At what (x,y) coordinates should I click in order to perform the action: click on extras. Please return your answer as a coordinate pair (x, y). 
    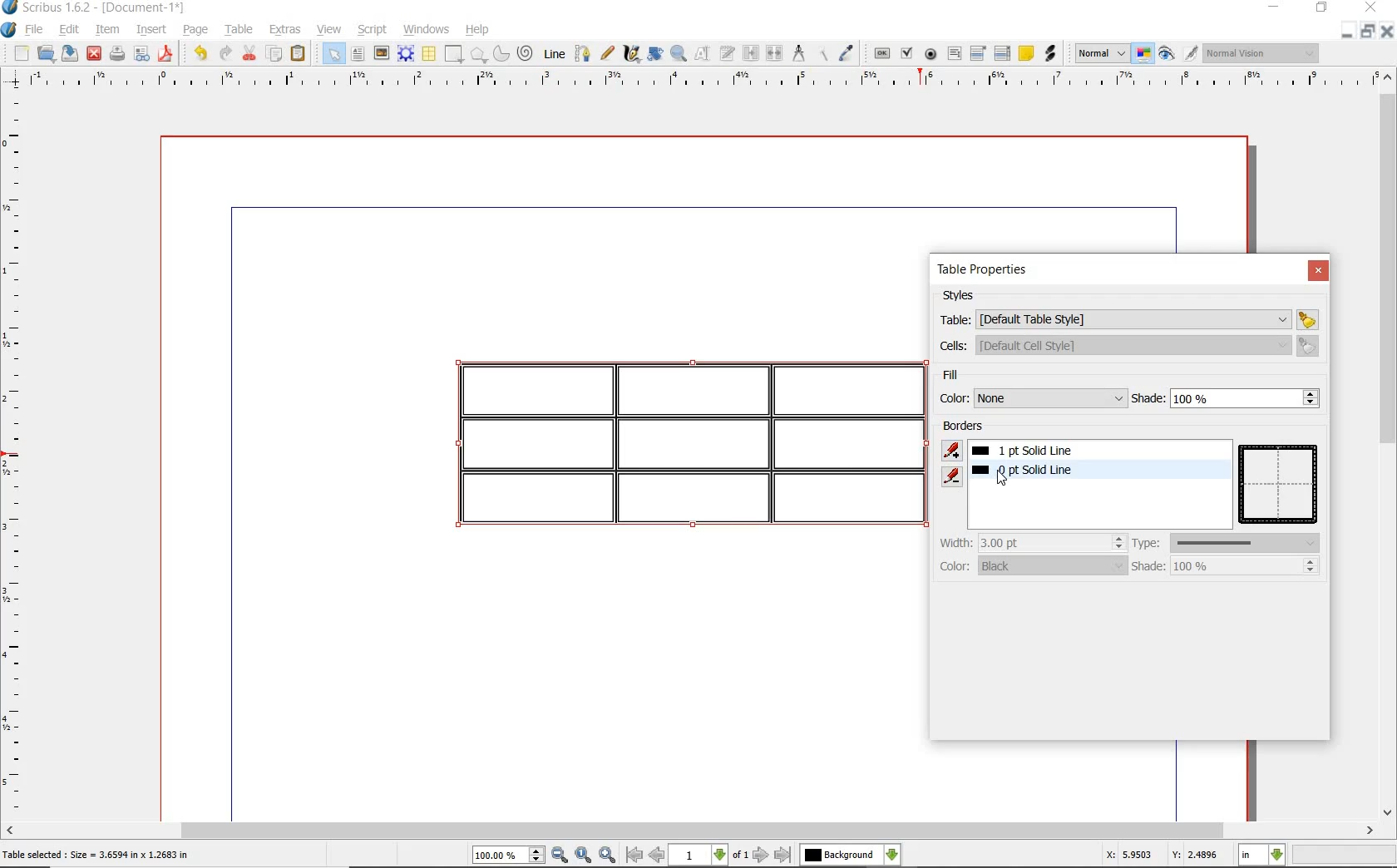
    Looking at the image, I should click on (286, 31).